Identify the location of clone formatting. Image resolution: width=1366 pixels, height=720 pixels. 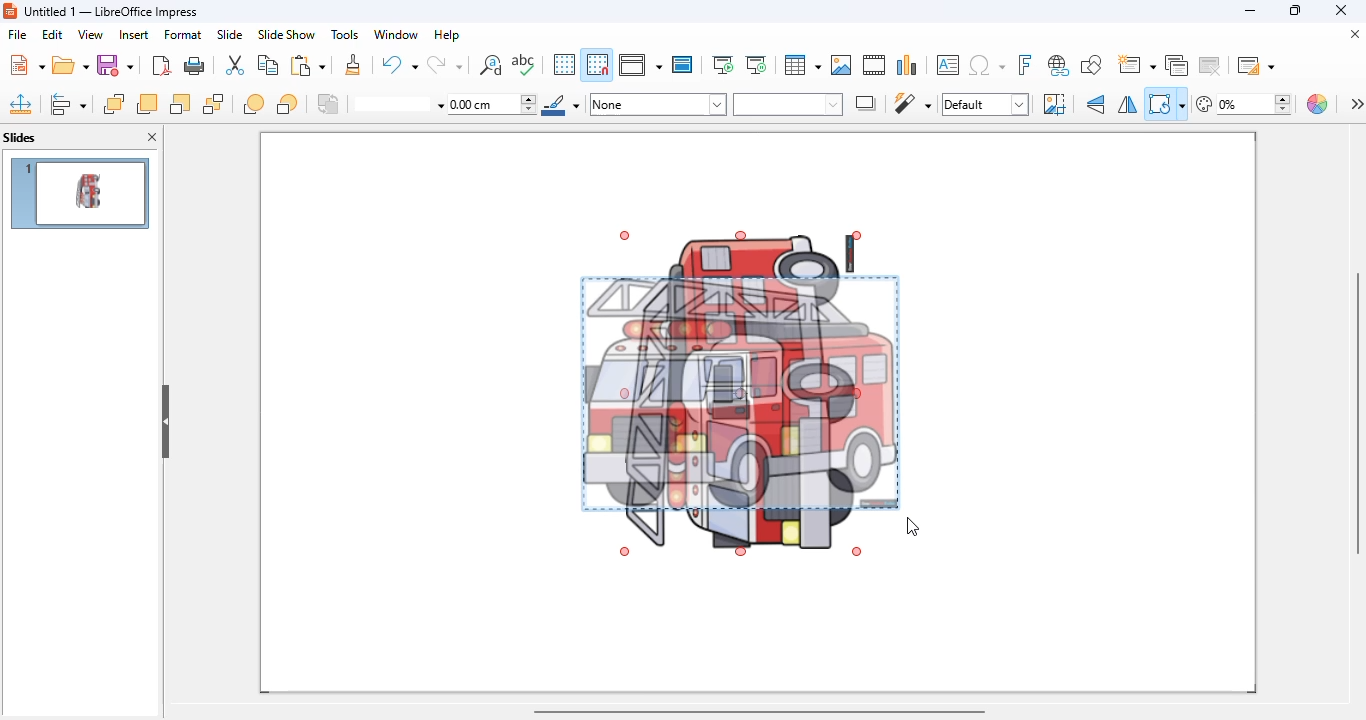
(353, 65).